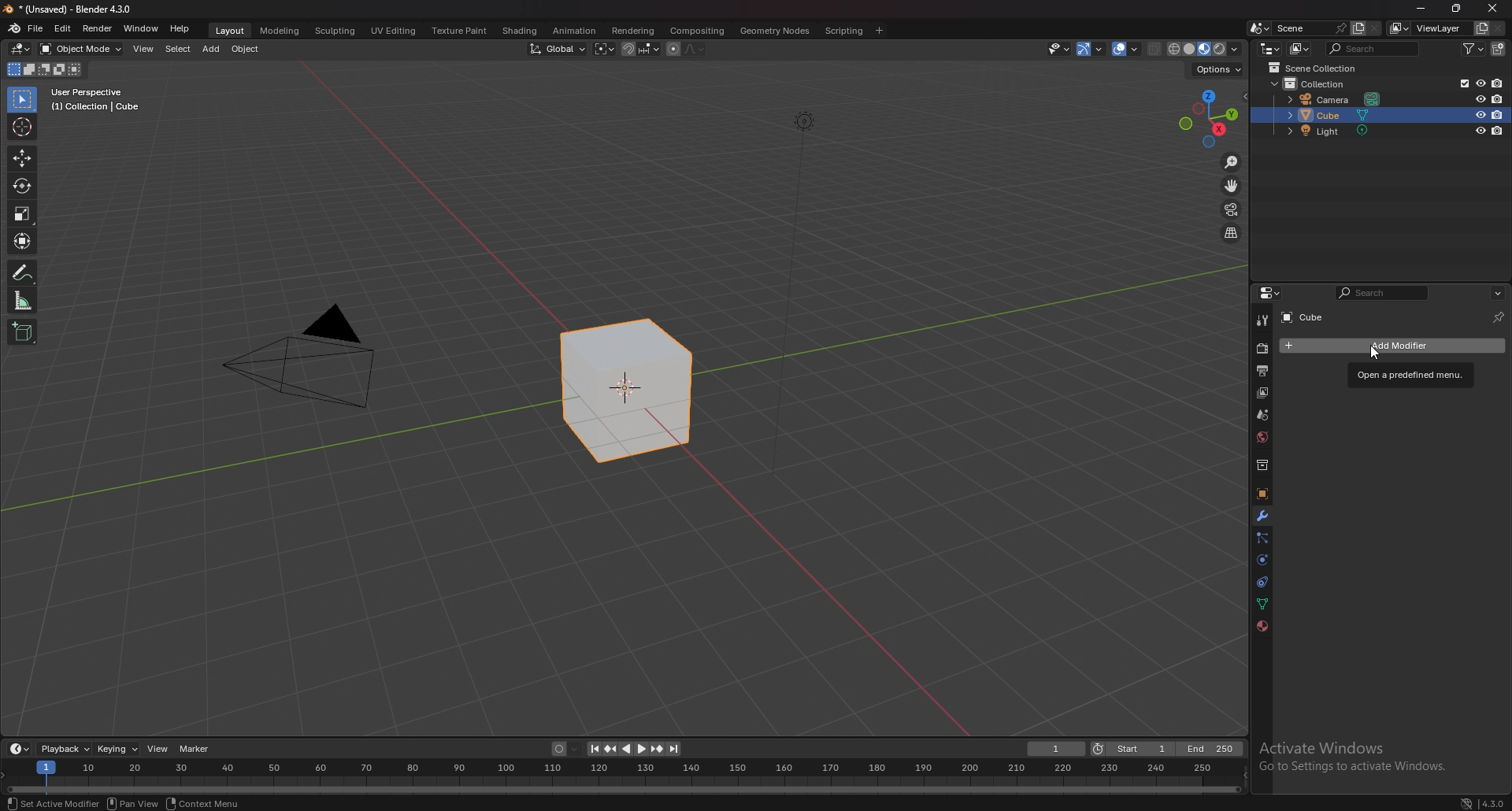 The image size is (1512, 811). What do you see at coordinates (1494, 8) in the screenshot?
I see `close` at bounding box center [1494, 8].